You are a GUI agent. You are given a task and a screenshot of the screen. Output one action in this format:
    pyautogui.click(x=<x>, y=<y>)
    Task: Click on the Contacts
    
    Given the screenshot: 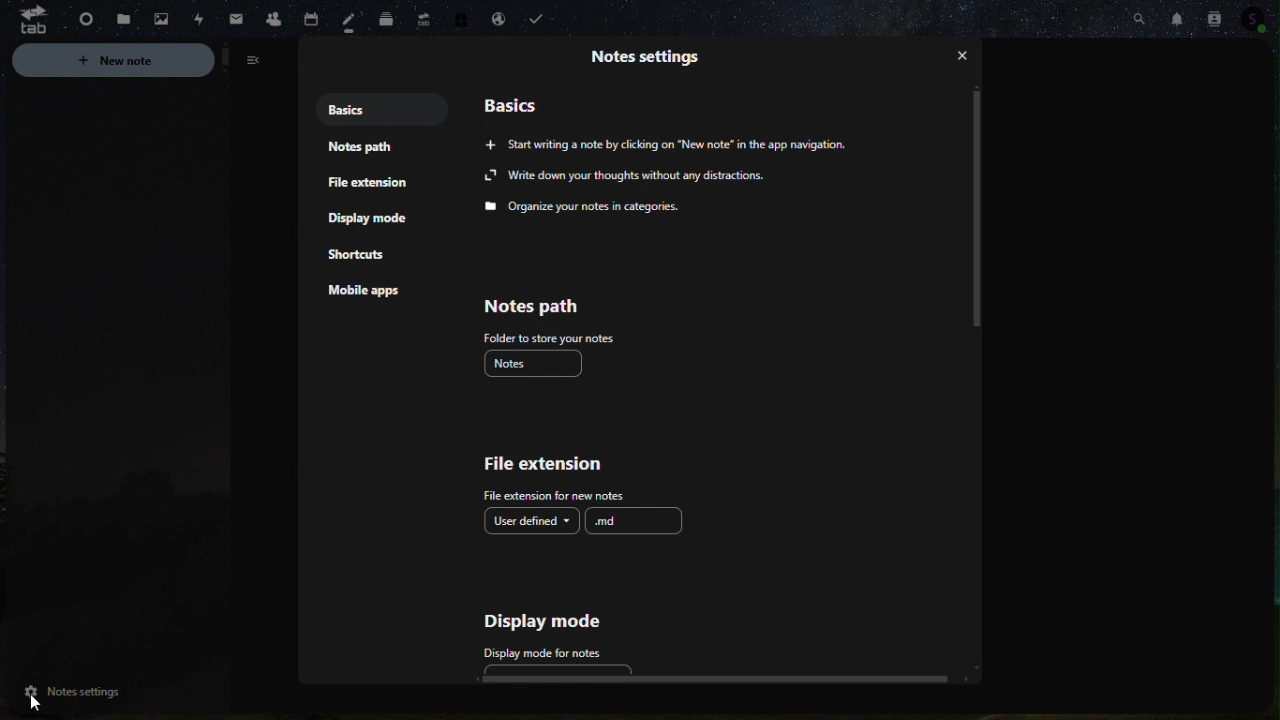 What is the action you would take?
    pyautogui.click(x=1219, y=15)
    